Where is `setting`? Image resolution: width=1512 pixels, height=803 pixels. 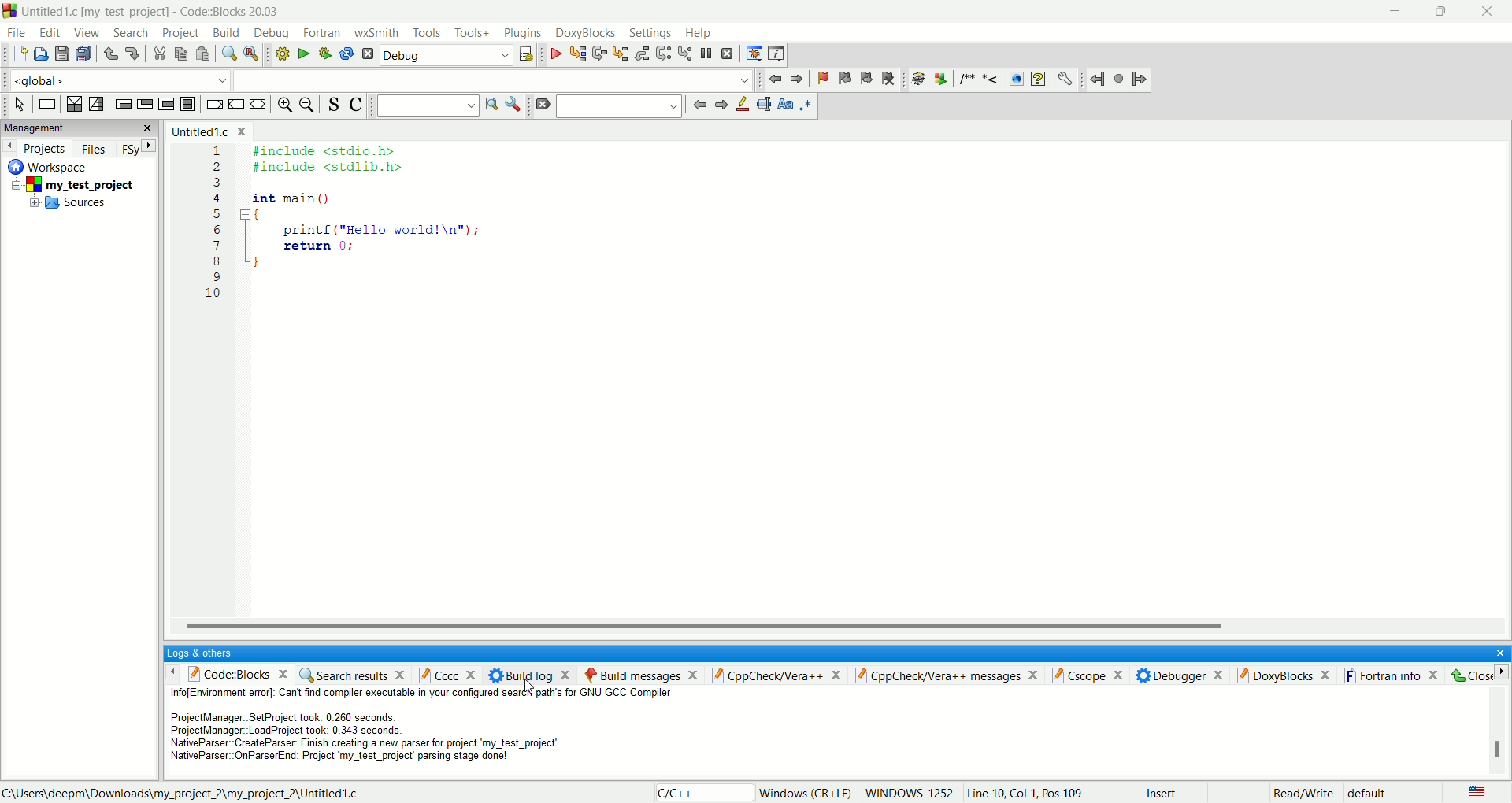
setting is located at coordinates (652, 34).